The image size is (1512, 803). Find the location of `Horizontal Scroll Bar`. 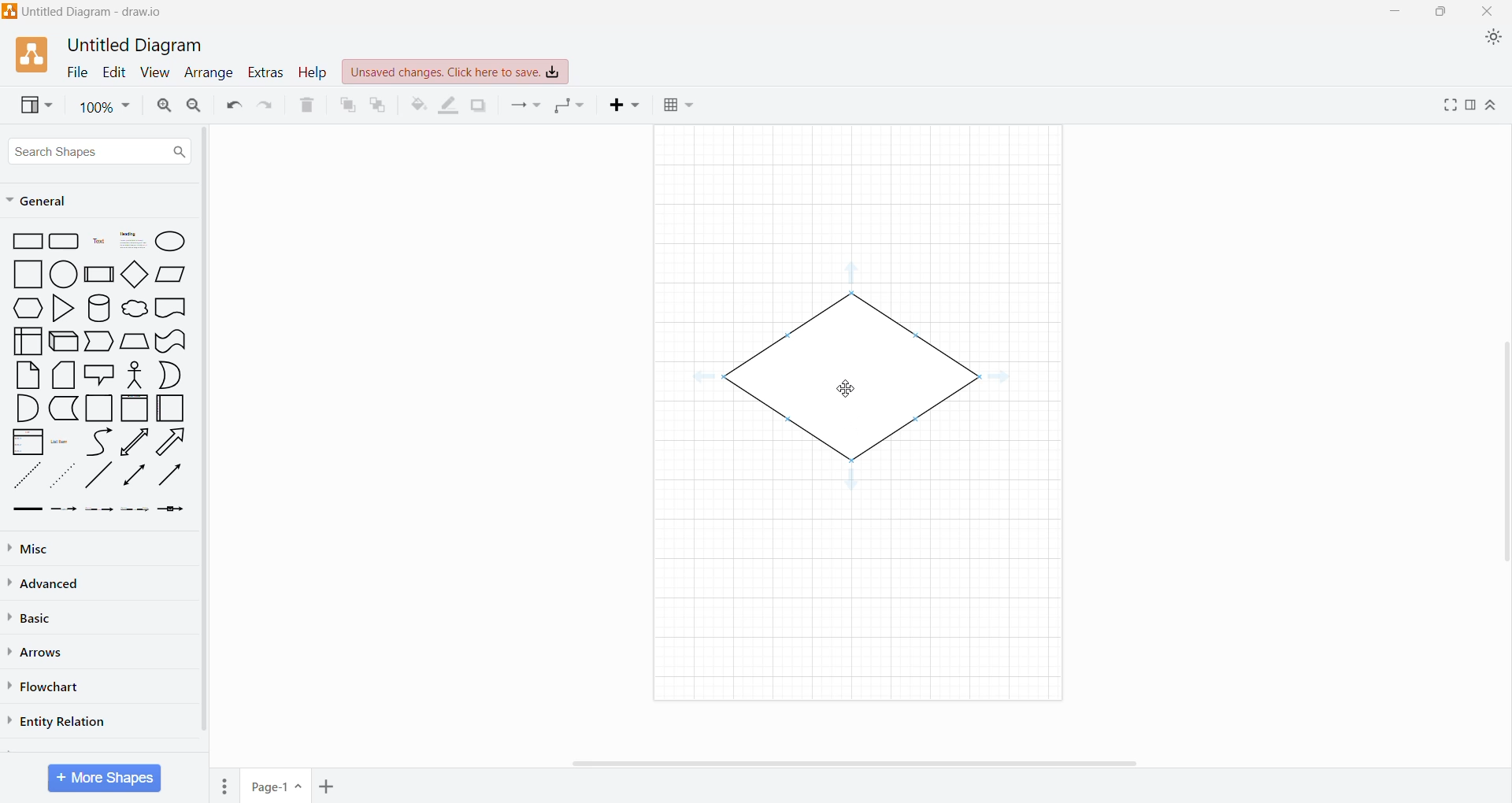

Horizontal Scroll Bar is located at coordinates (857, 759).